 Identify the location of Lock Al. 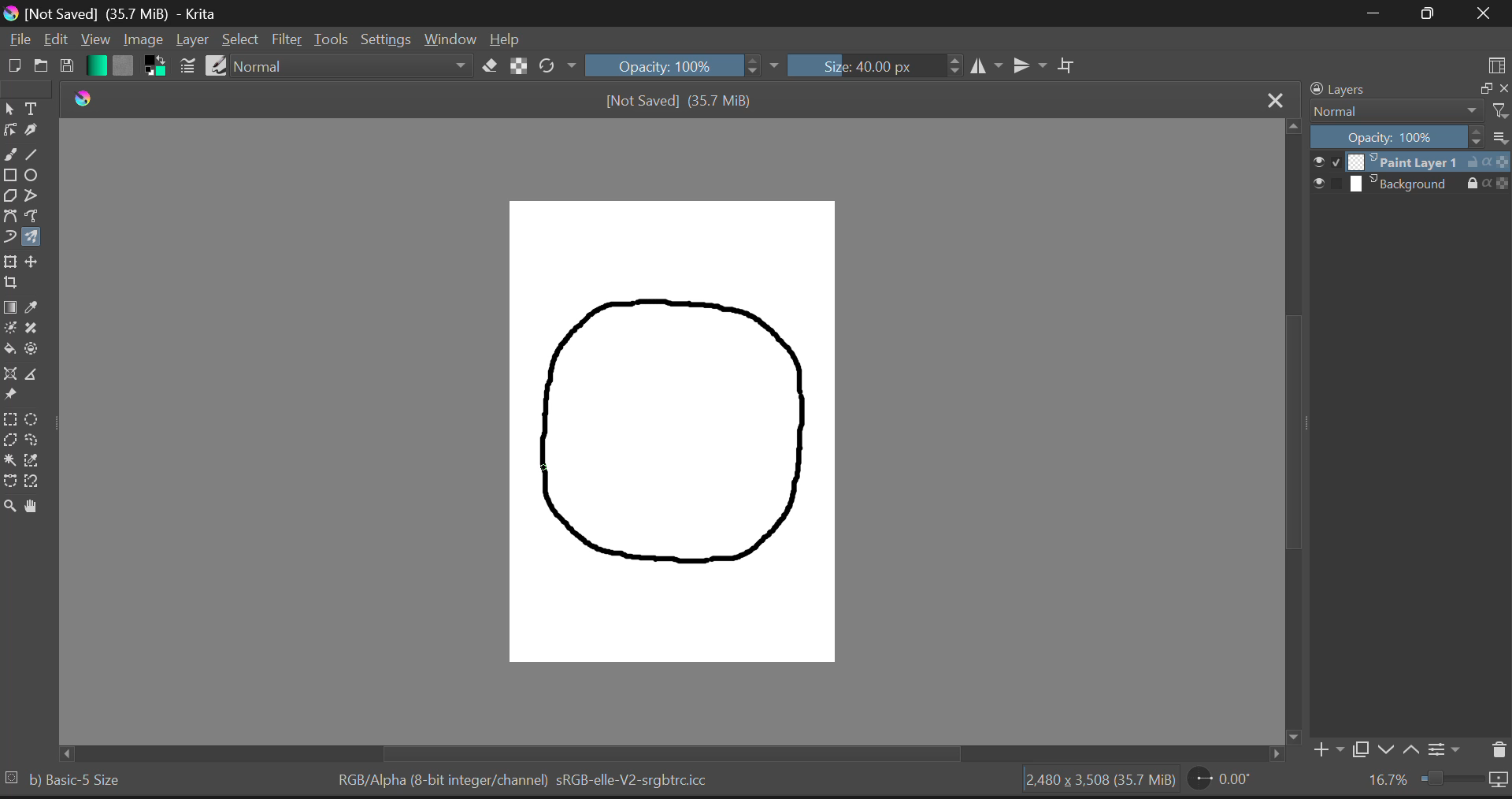
(517, 66).